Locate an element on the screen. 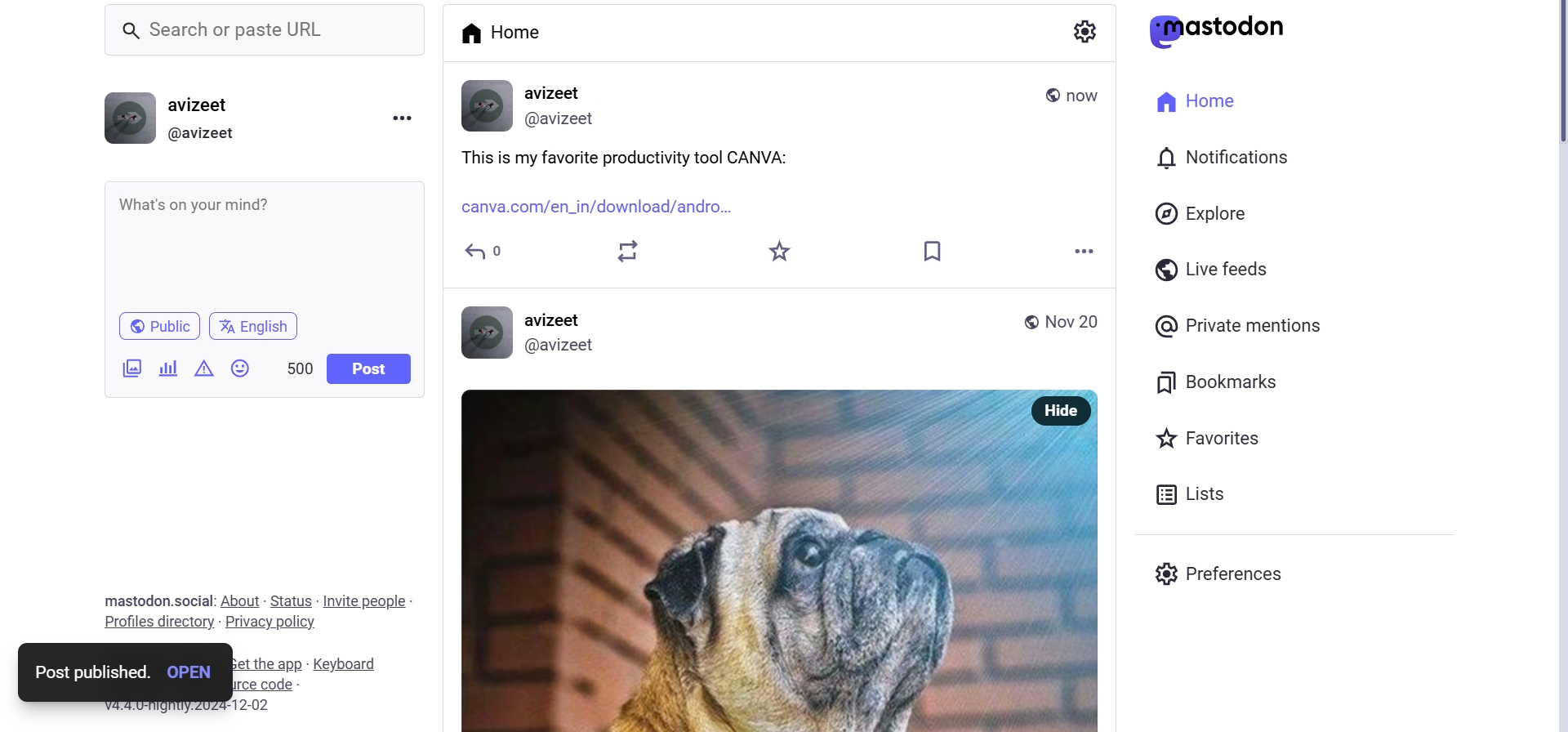 The width and height of the screenshot is (1568, 732). profiles directories is located at coordinates (158, 623).